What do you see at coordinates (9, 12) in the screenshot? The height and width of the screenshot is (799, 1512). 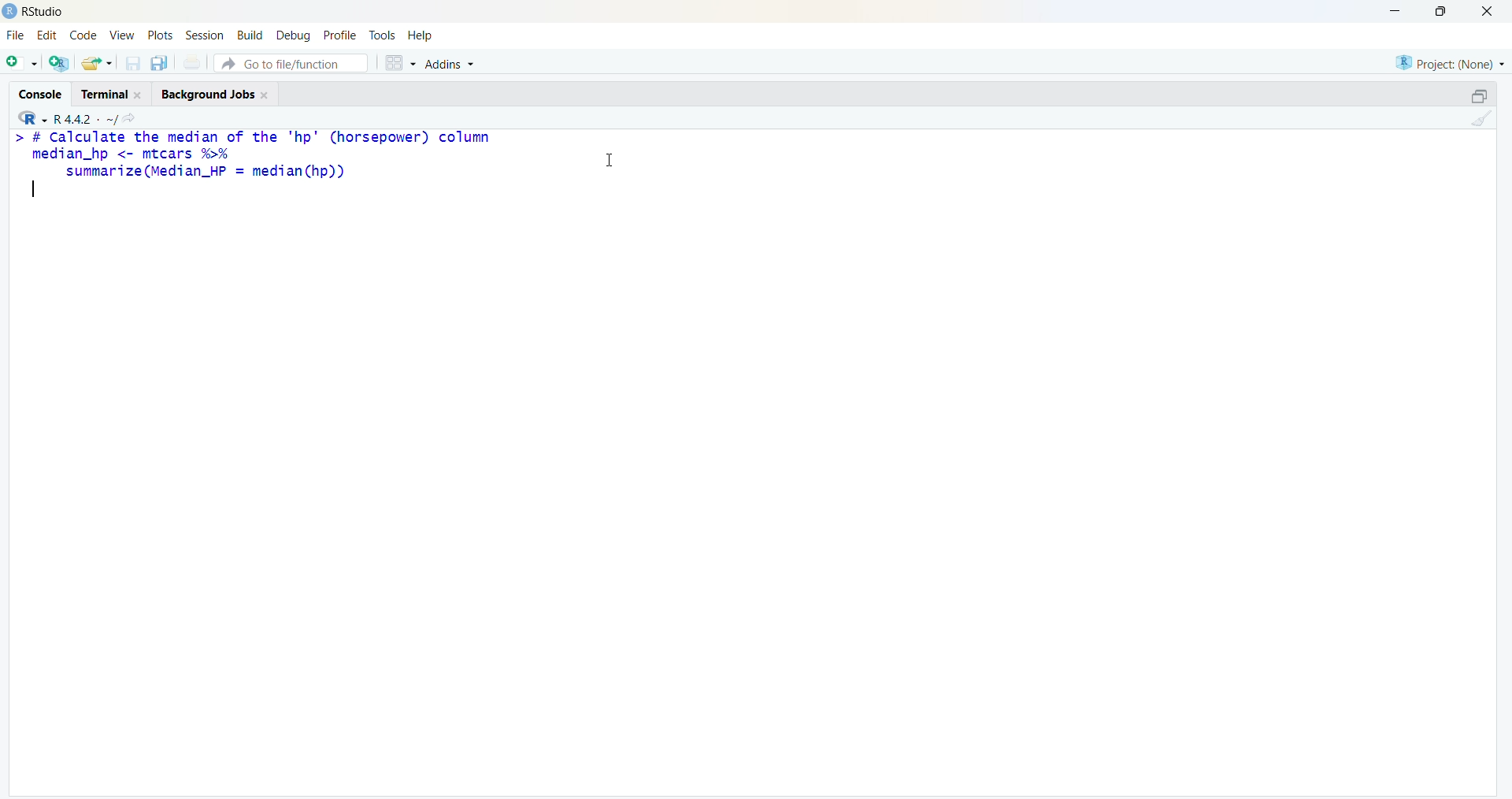 I see `logo` at bounding box center [9, 12].